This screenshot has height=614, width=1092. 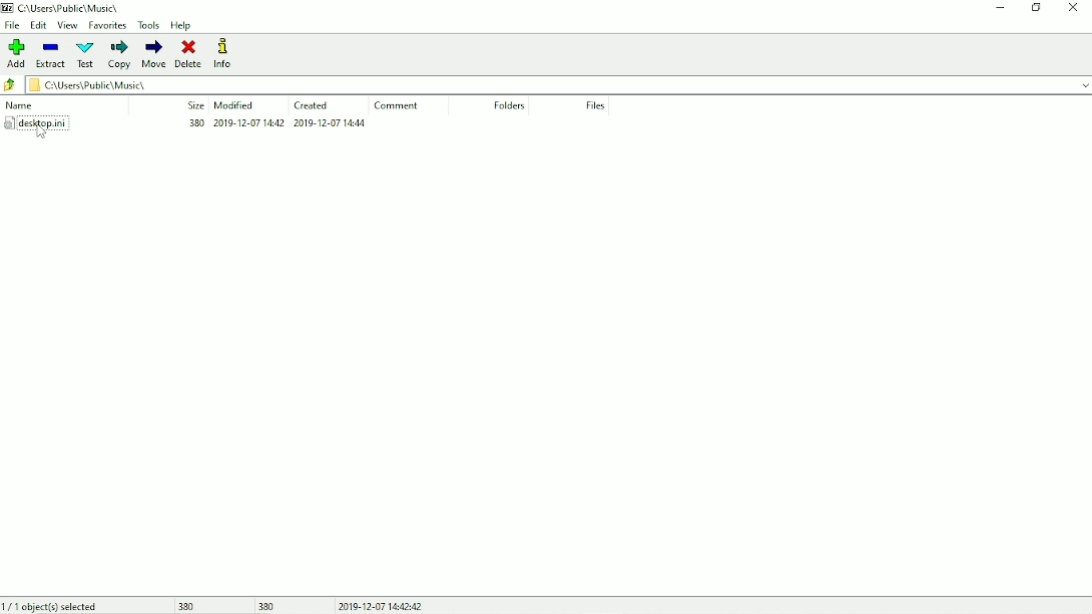 I want to click on Help, so click(x=183, y=26).